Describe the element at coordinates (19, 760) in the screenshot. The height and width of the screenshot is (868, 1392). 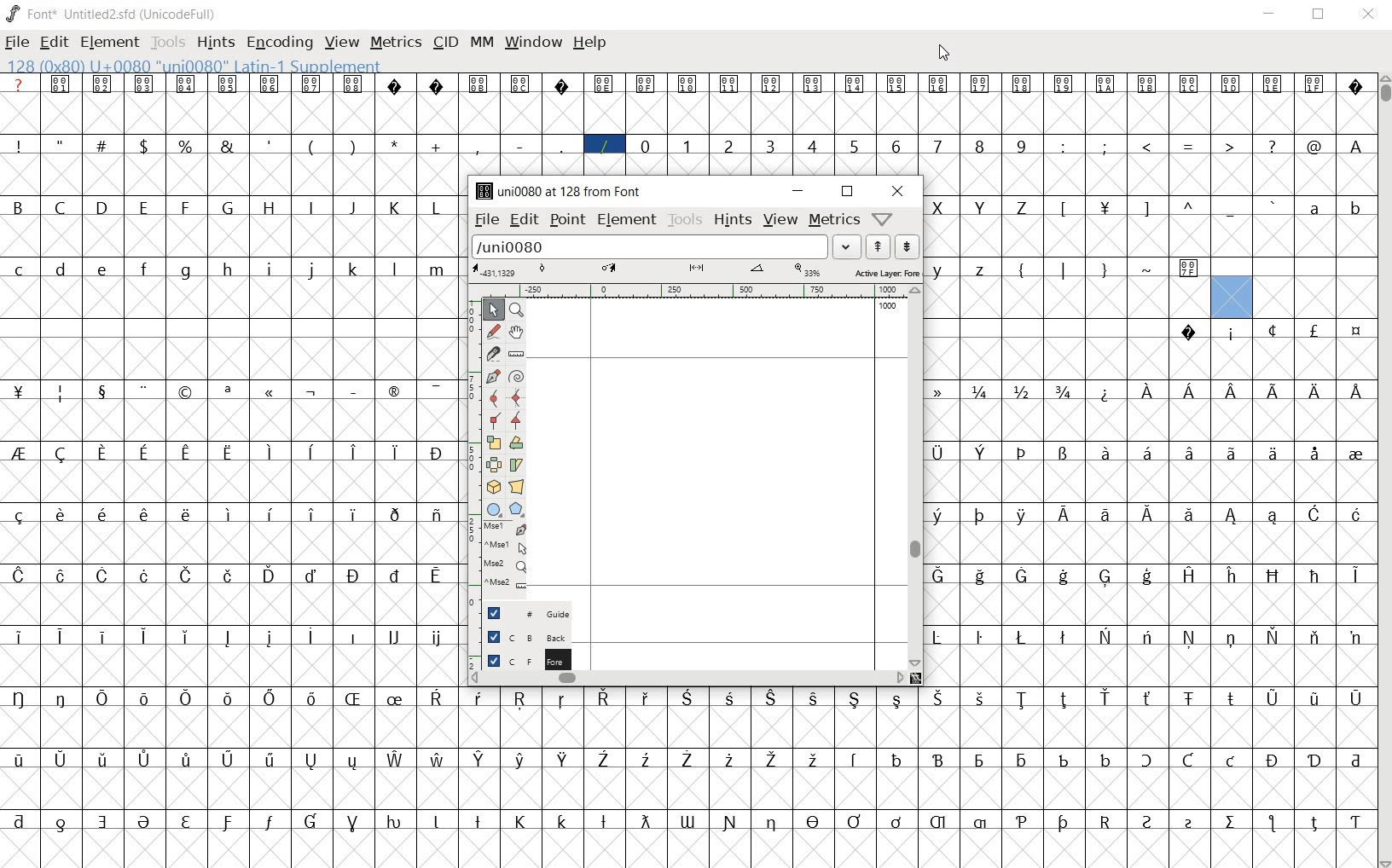
I see `glyph` at that location.